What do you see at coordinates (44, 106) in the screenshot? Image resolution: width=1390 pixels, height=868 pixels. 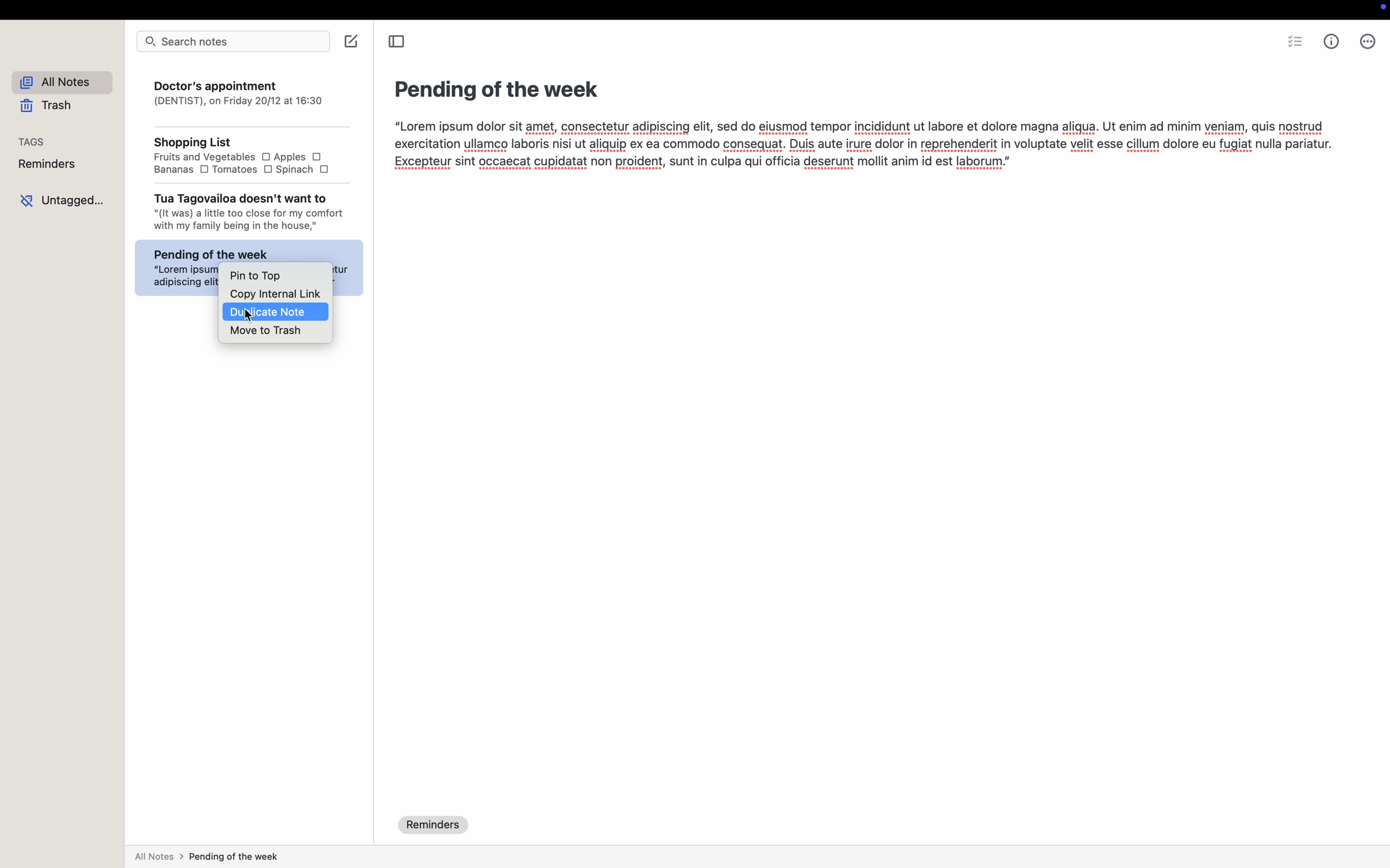 I see `trash` at bounding box center [44, 106].